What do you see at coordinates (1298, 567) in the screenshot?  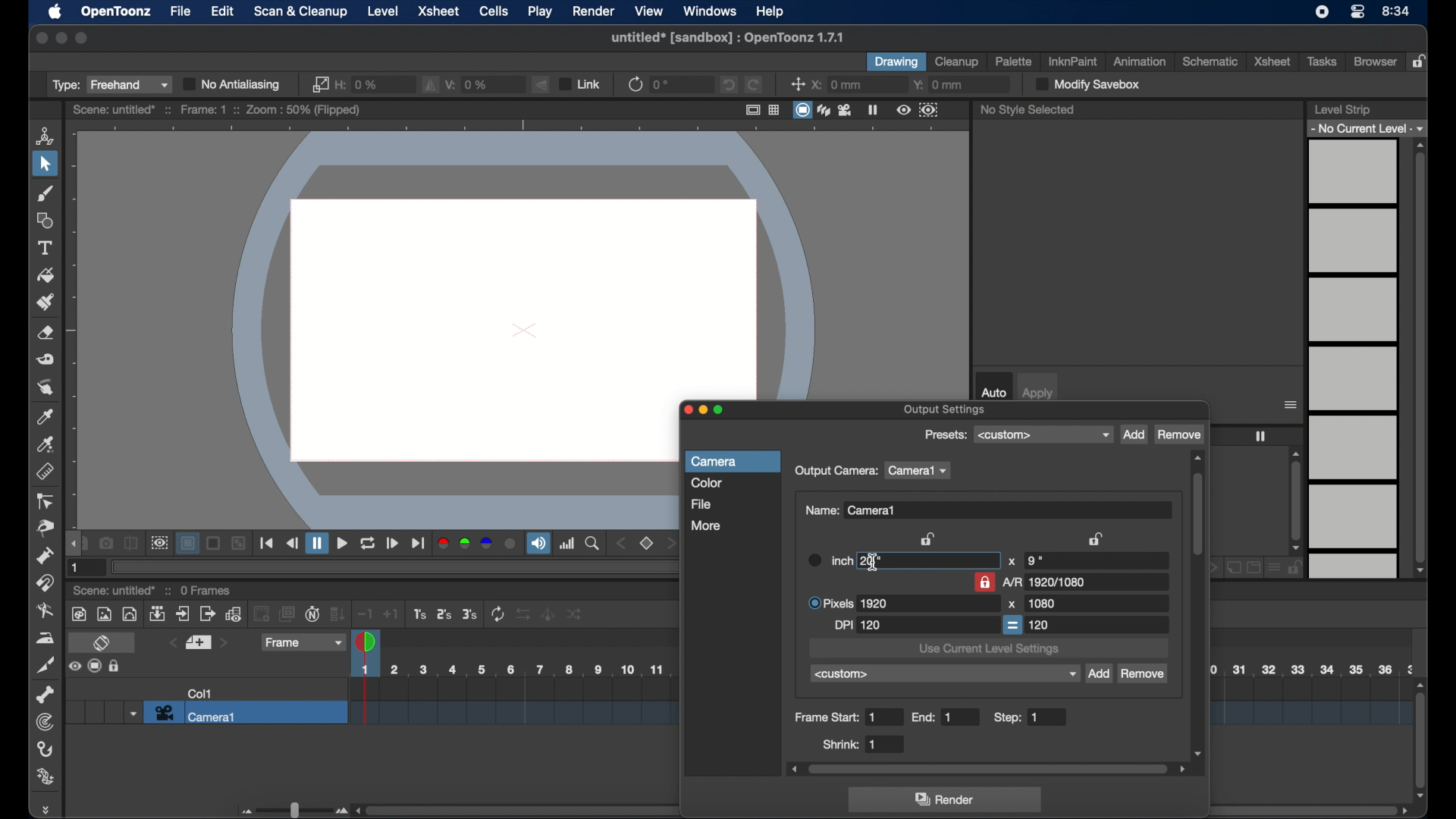 I see `` at bounding box center [1298, 567].